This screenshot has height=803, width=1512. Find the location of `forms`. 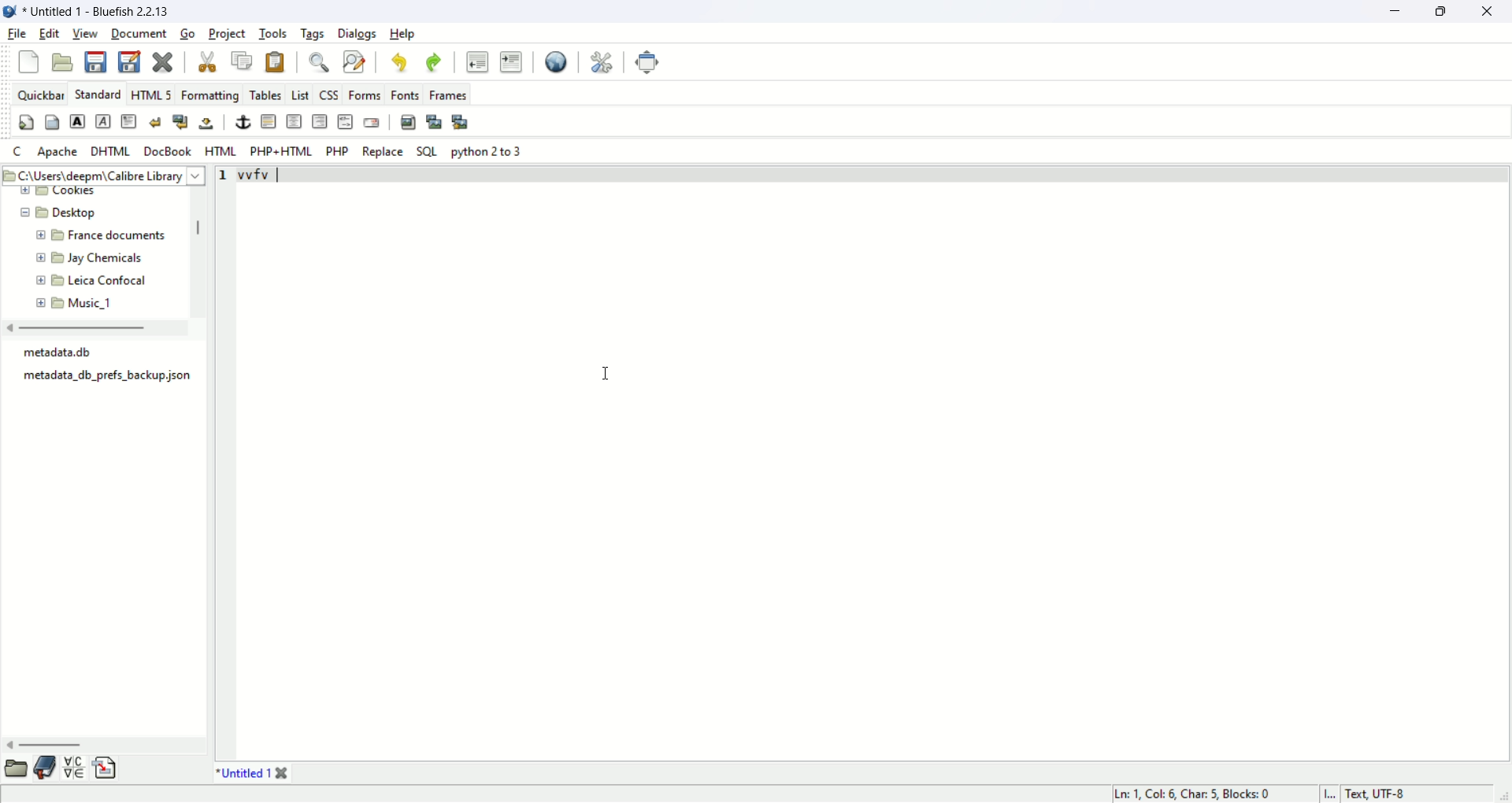

forms is located at coordinates (365, 96).